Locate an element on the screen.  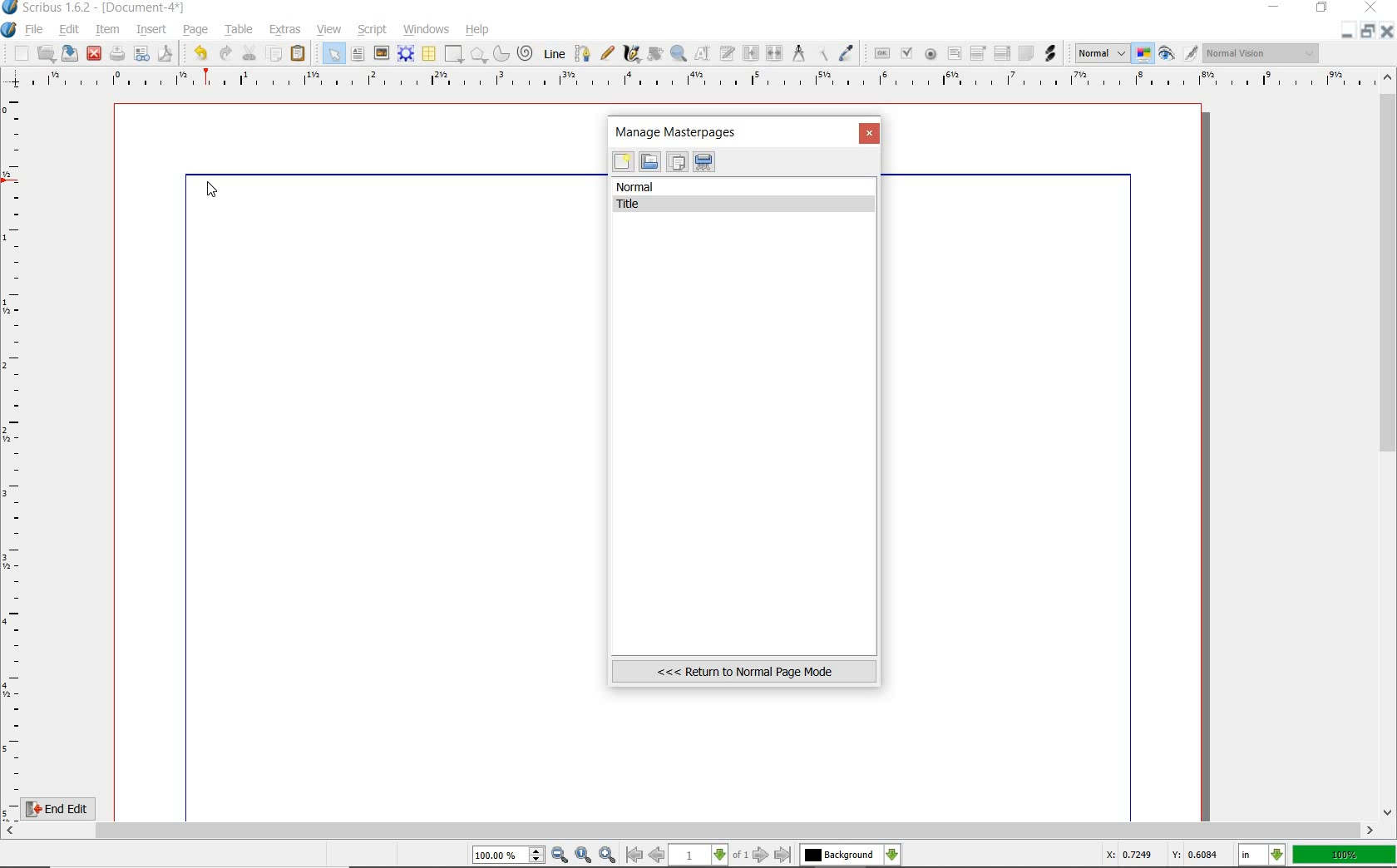
pdf combo box is located at coordinates (979, 52).